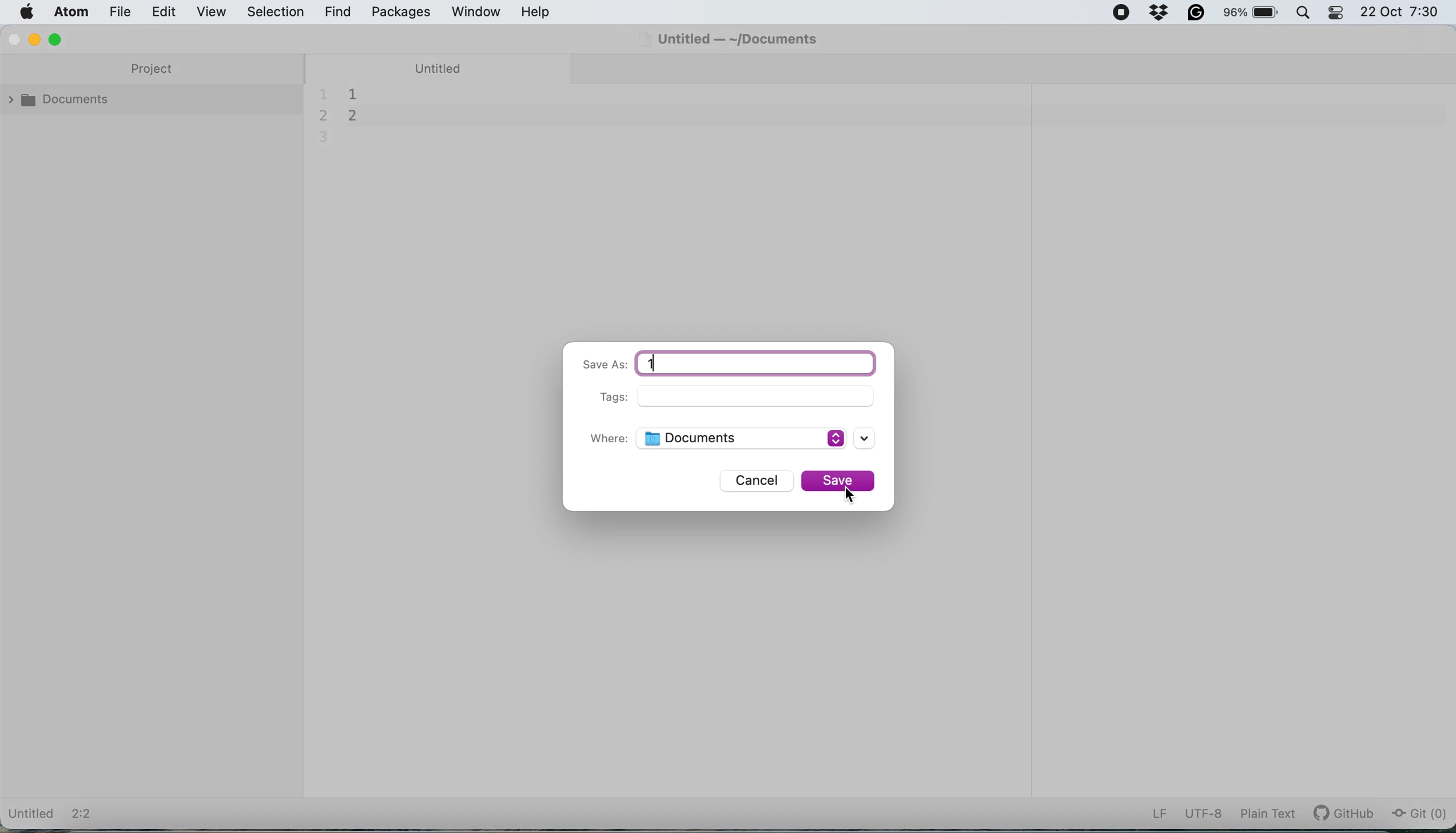 The image size is (1456, 833). I want to click on document contents, so click(351, 114).